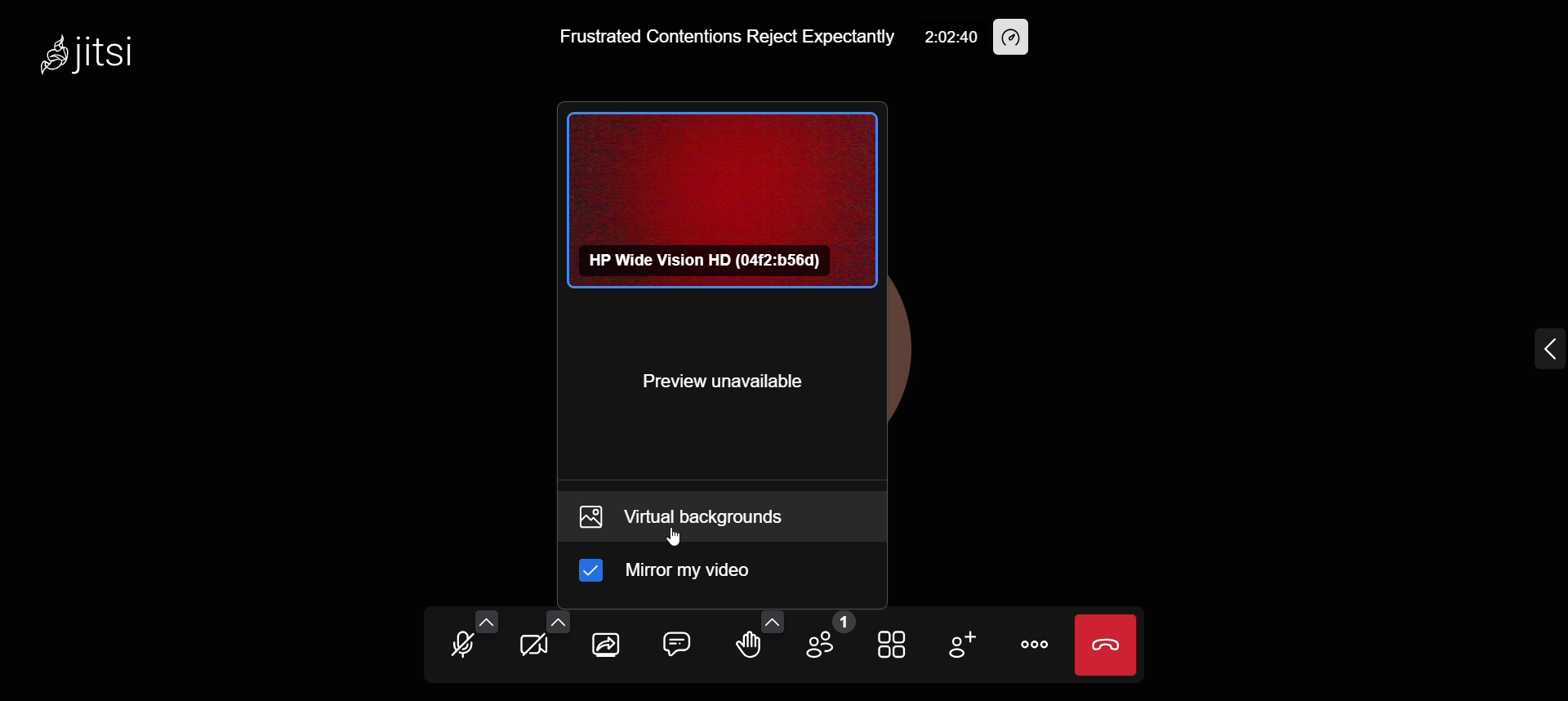  Describe the element at coordinates (748, 649) in the screenshot. I see `raise hand` at that location.